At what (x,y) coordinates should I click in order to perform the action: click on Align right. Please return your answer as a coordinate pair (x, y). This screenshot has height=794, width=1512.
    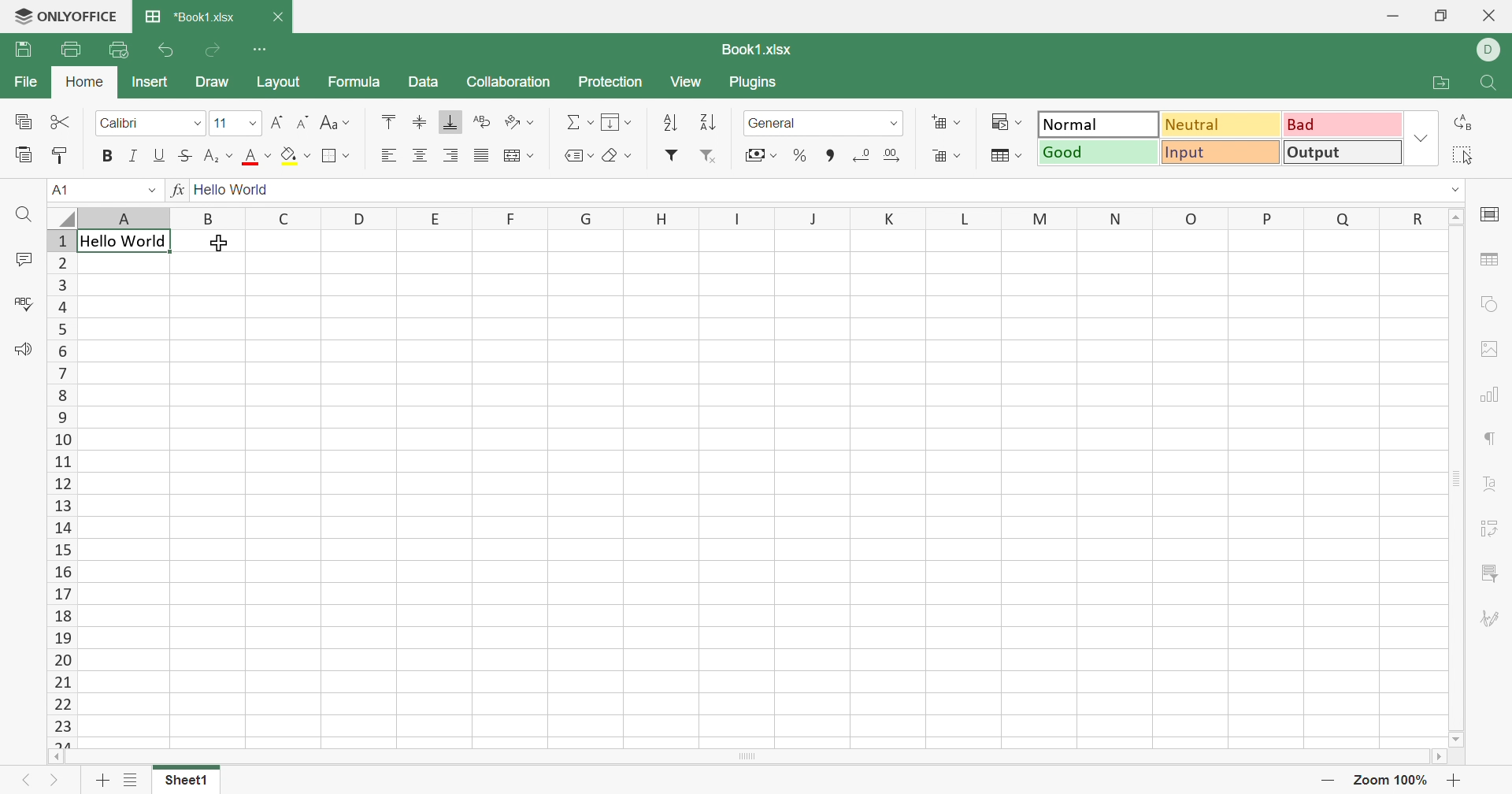
    Looking at the image, I should click on (452, 157).